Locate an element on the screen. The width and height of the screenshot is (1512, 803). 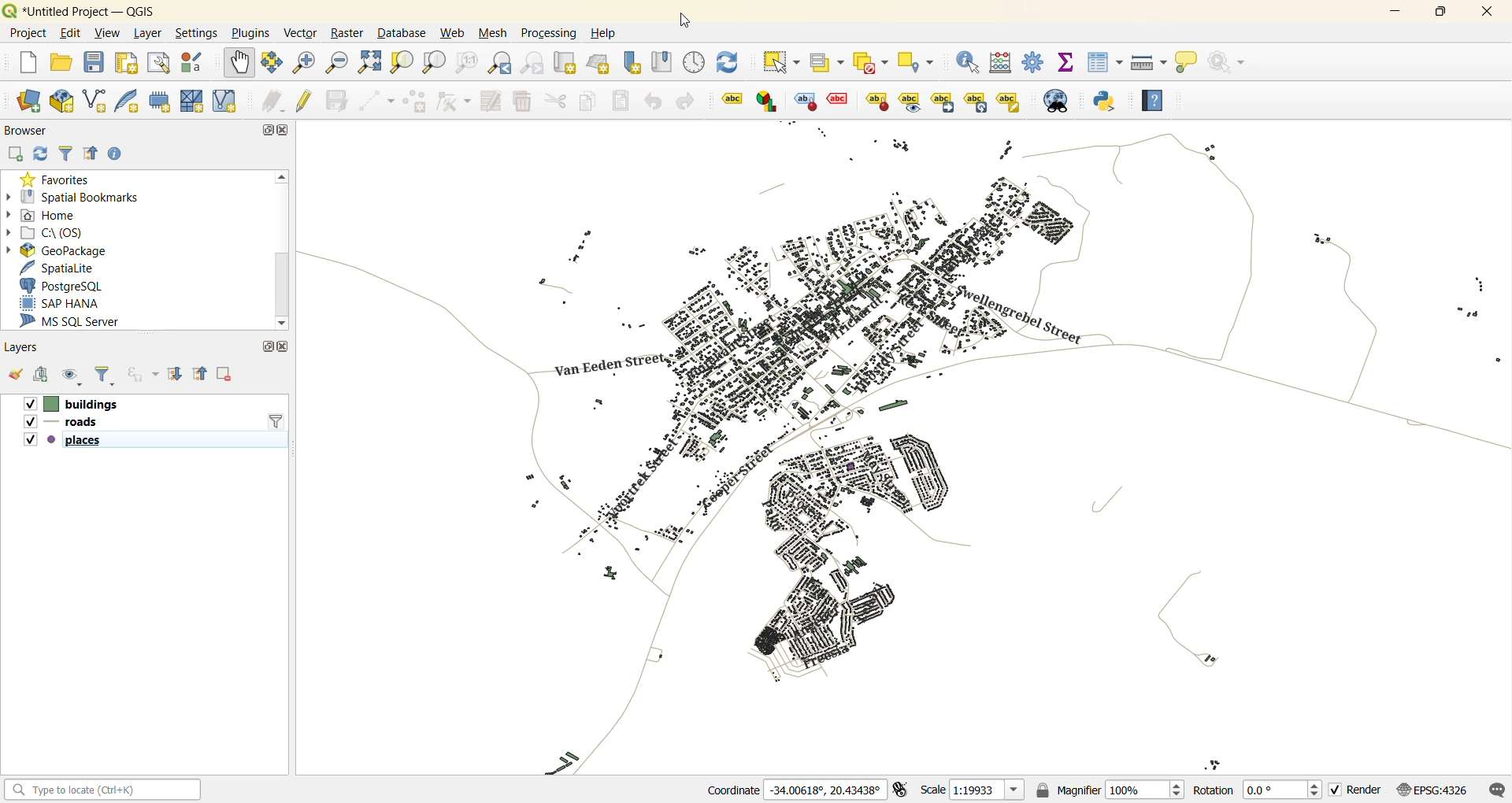
temporary scratch layer is located at coordinates (159, 101).